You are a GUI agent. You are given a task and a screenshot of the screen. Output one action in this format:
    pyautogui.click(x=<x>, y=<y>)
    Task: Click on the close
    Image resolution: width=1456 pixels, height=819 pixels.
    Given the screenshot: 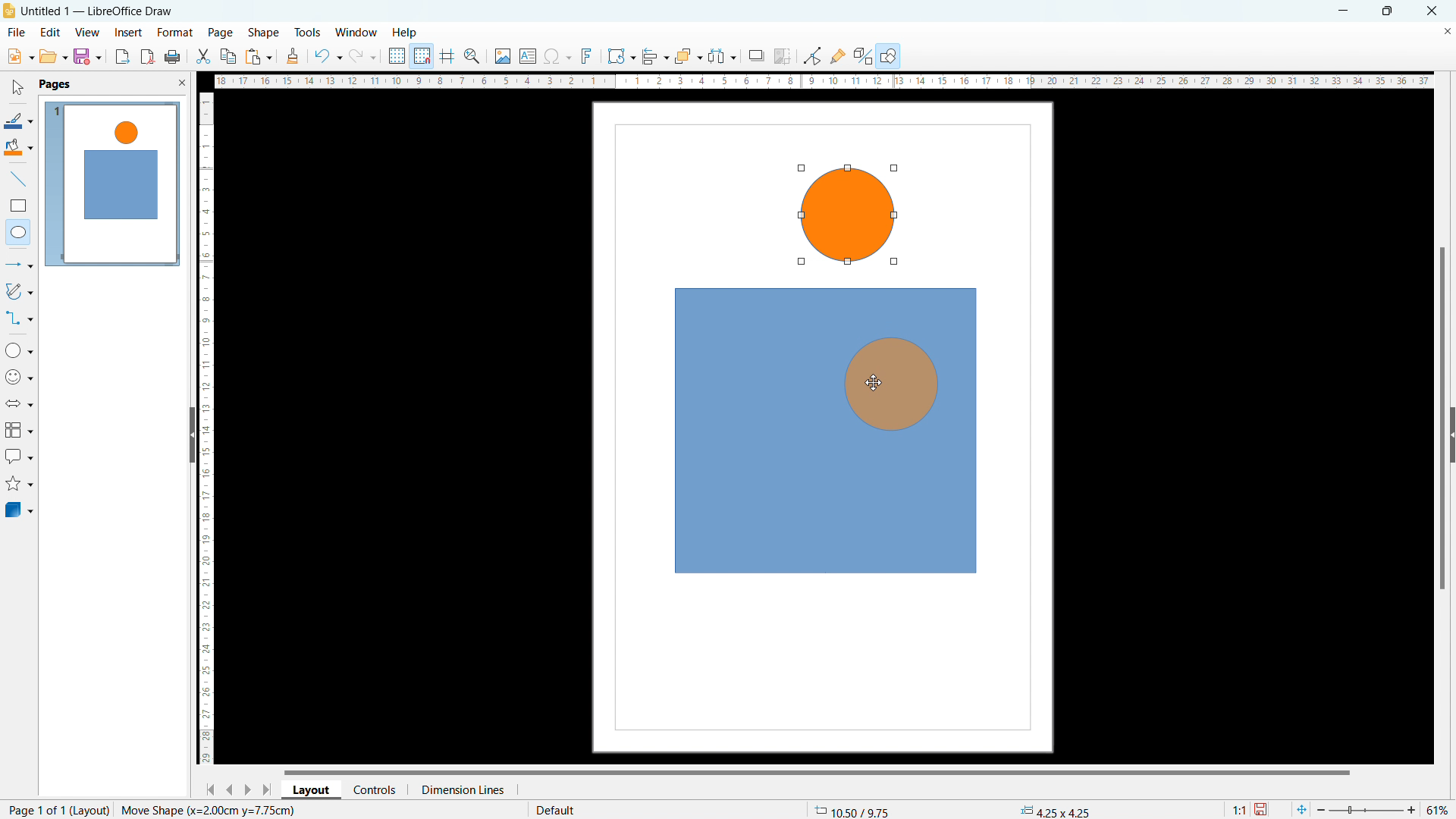 What is the action you would take?
    pyautogui.click(x=1433, y=10)
    